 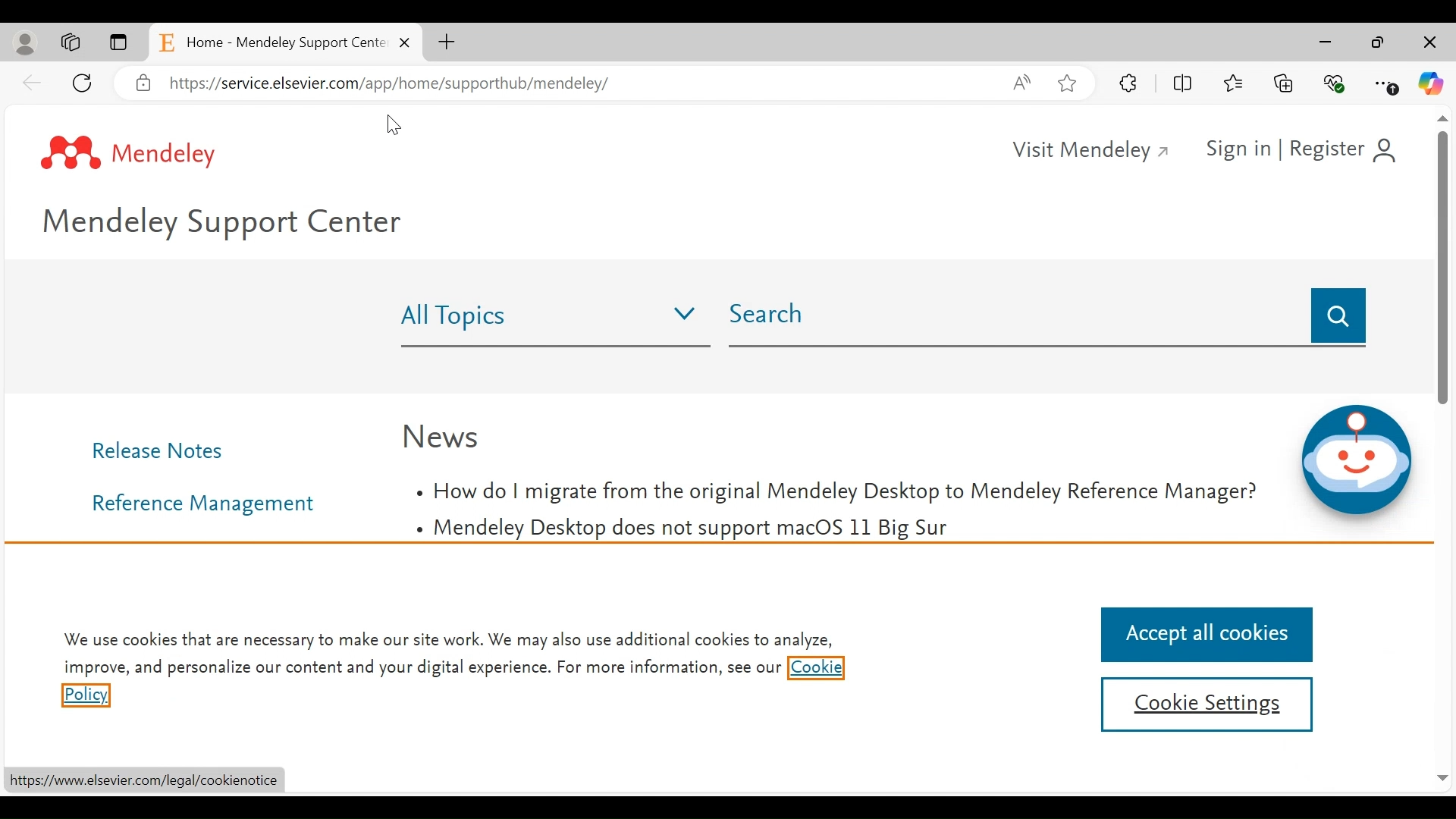 What do you see at coordinates (836, 493) in the screenshot?
I see `How do I migrate from the original Mendeley Desktop to Mendeley Reference Manager?` at bounding box center [836, 493].